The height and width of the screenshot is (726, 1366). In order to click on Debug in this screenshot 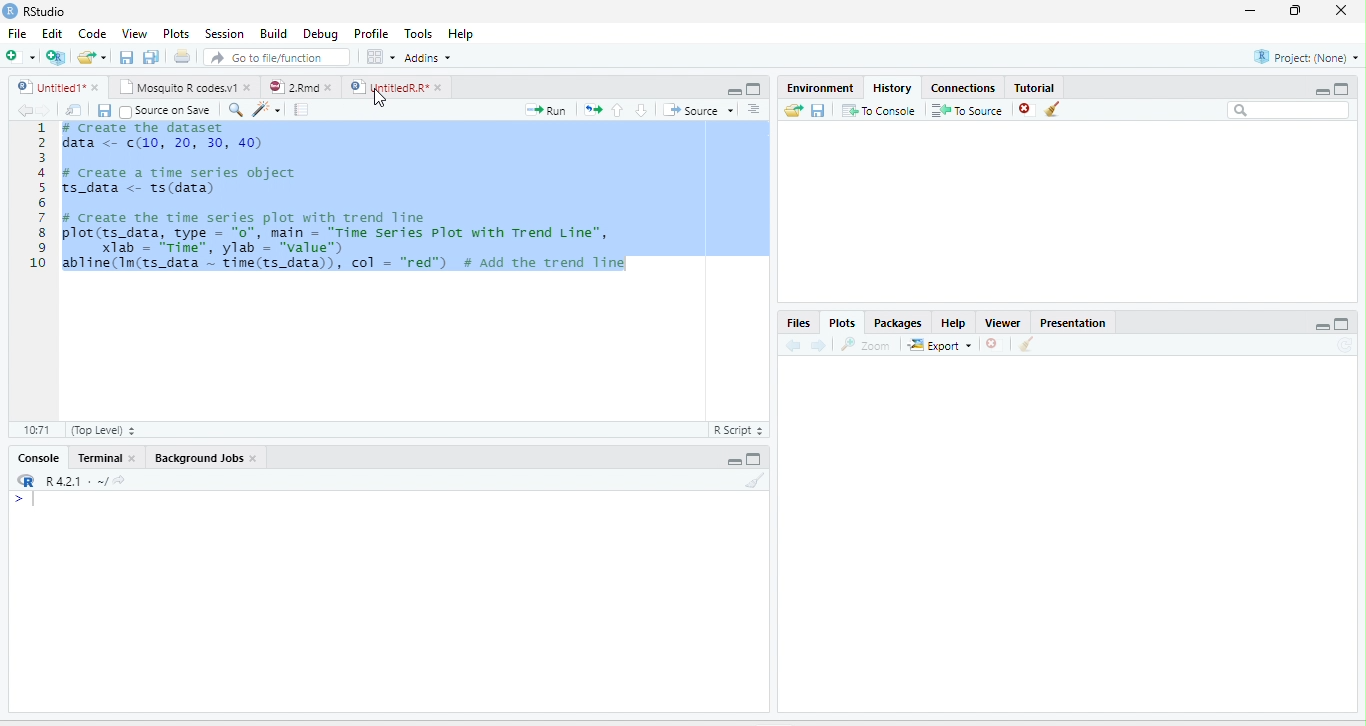, I will do `click(320, 34)`.